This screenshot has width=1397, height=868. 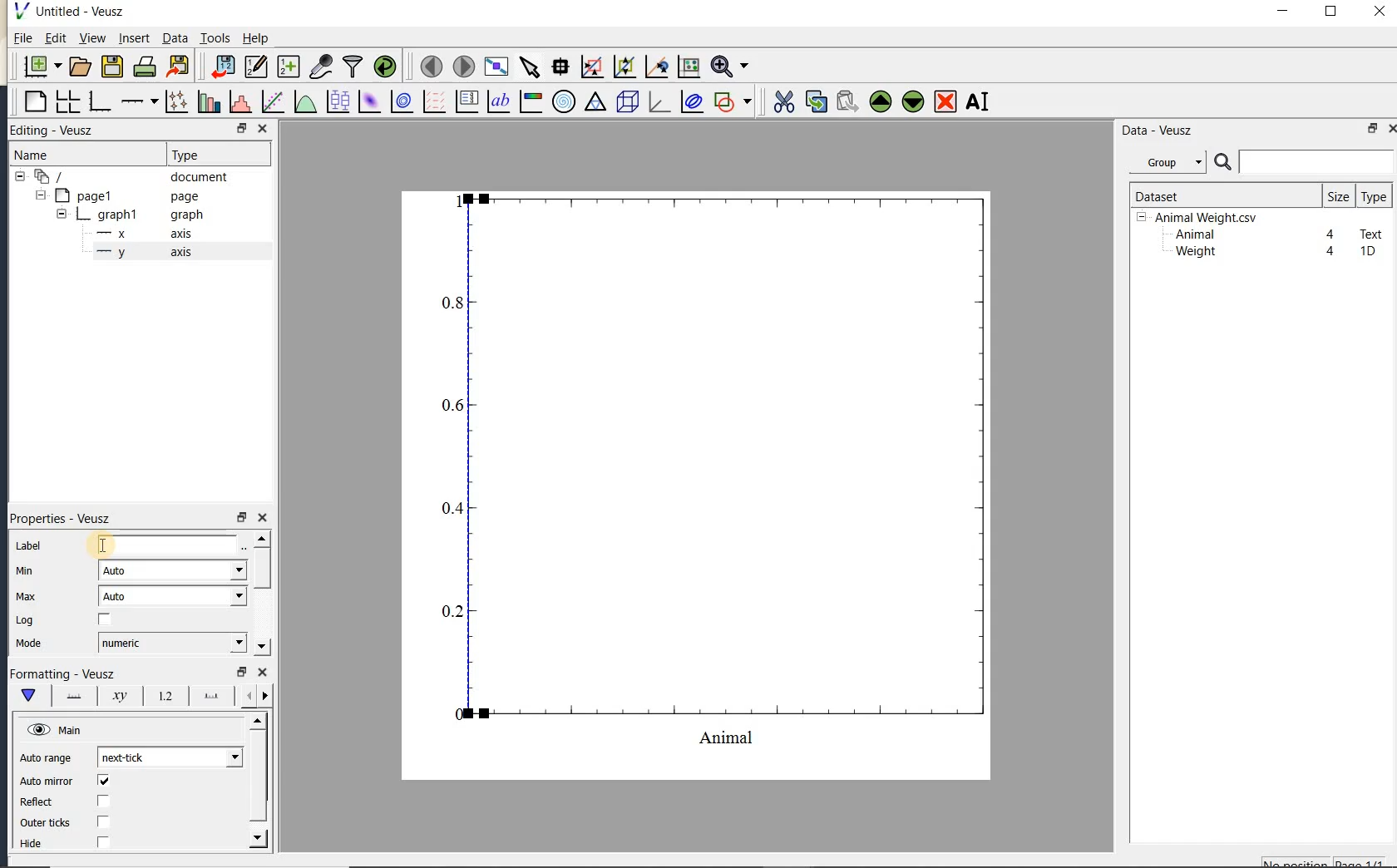 I want to click on 1D, so click(x=1367, y=251).